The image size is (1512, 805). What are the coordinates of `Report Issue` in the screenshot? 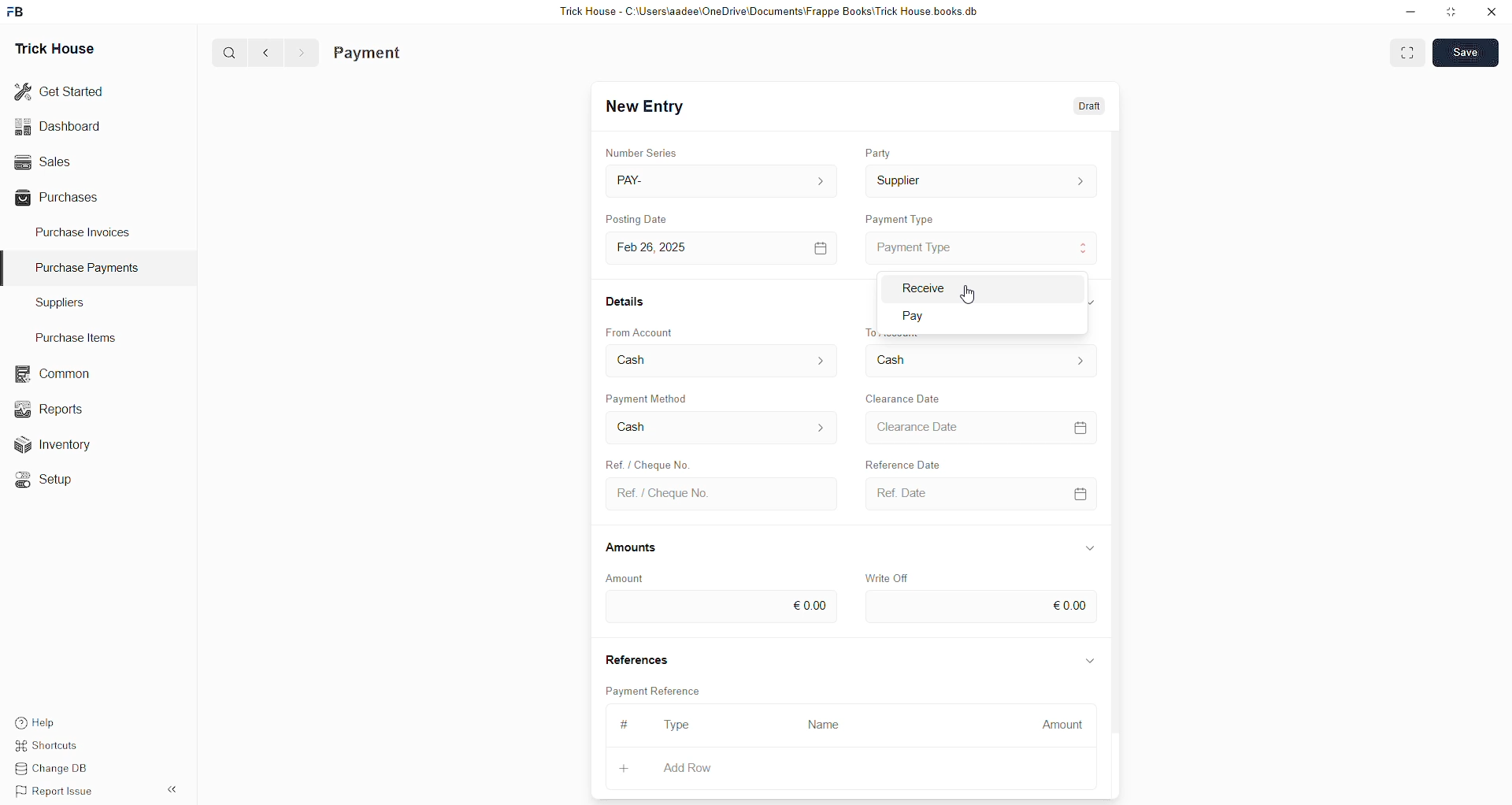 It's located at (51, 789).